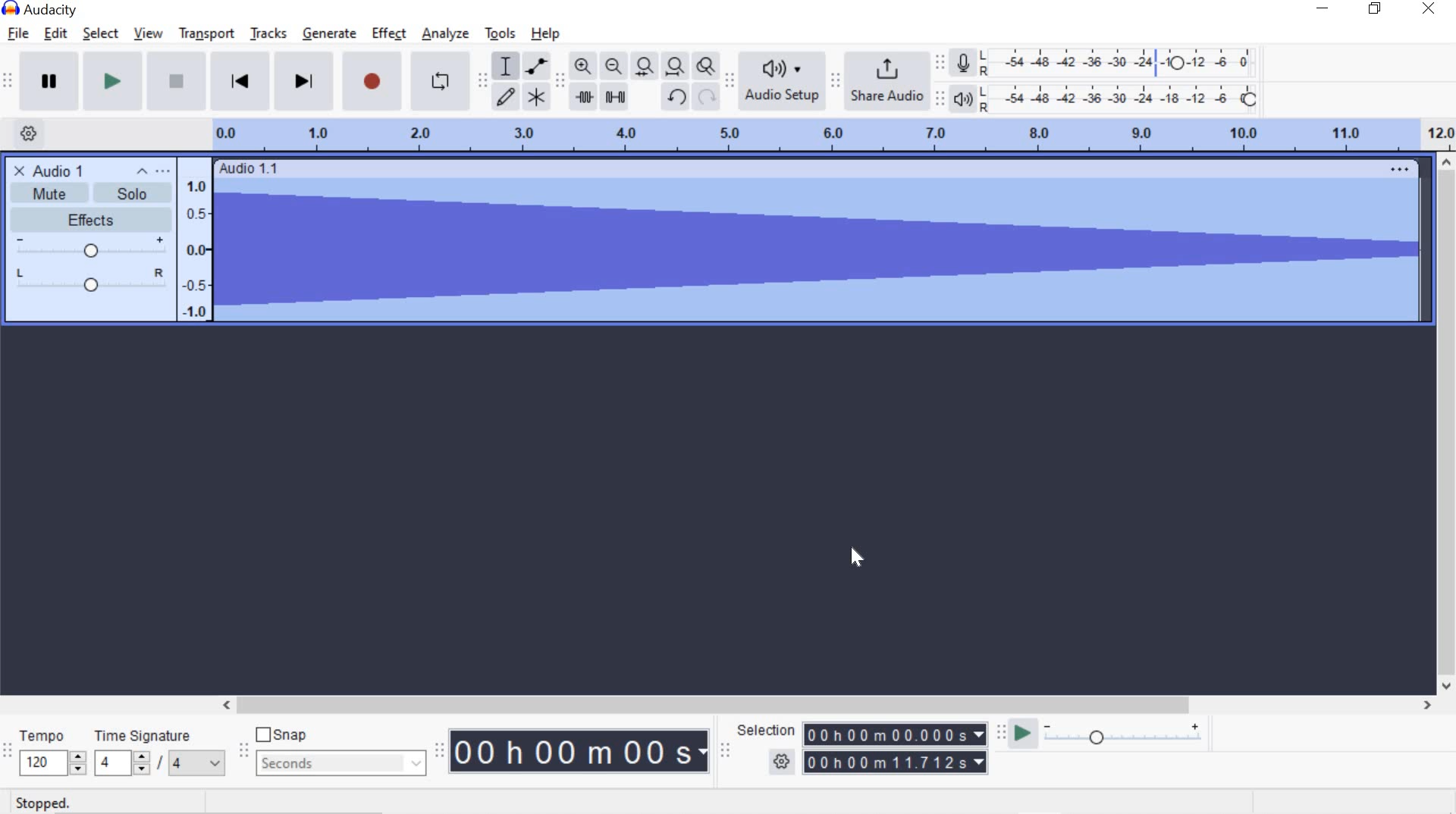 Image resolution: width=1456 pixels, height=814 pixels. I want to click on snap, so click(283, 735).